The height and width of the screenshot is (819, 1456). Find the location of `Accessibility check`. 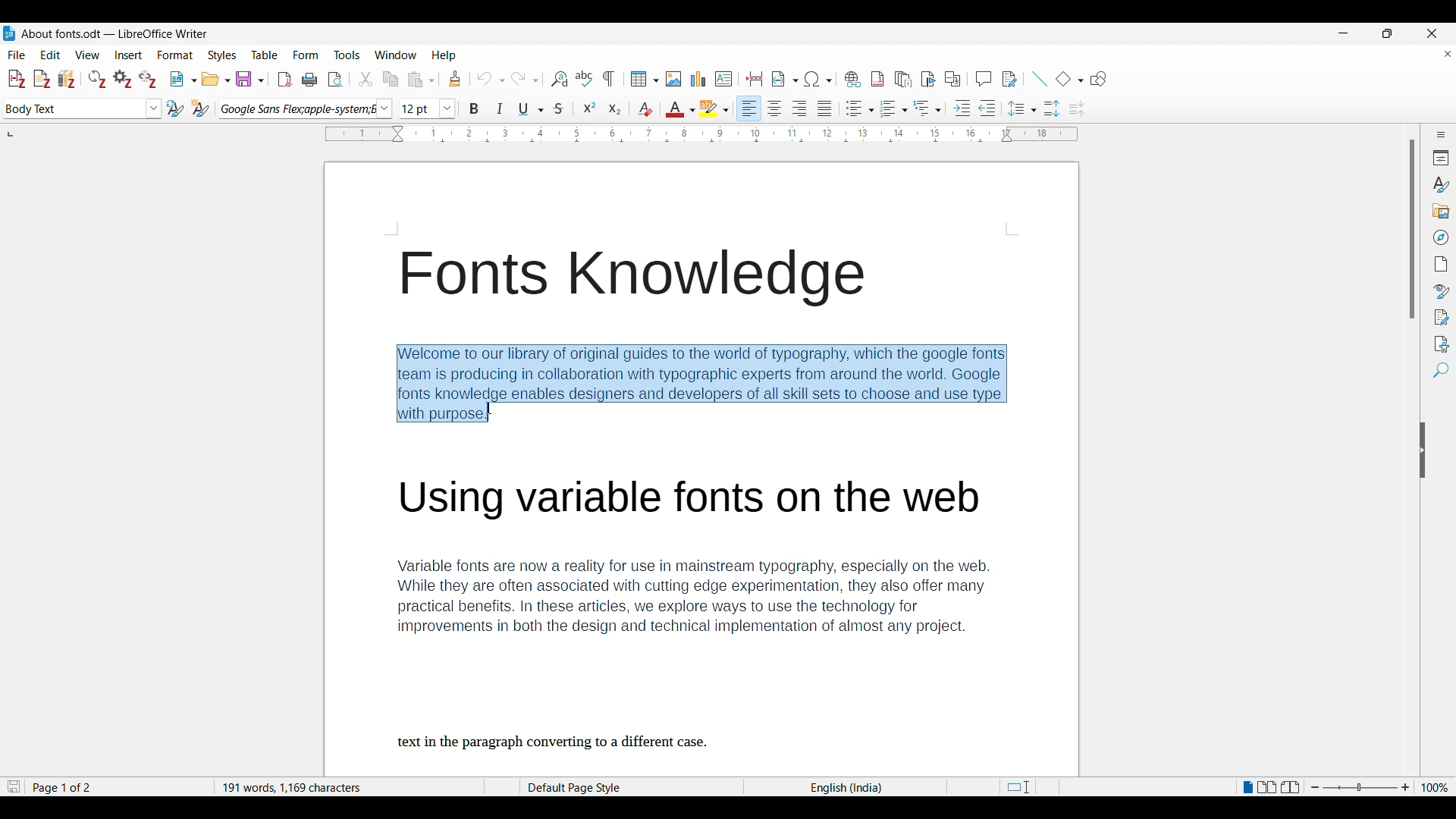

Accessibility check is located at coordinates (1442, 345).